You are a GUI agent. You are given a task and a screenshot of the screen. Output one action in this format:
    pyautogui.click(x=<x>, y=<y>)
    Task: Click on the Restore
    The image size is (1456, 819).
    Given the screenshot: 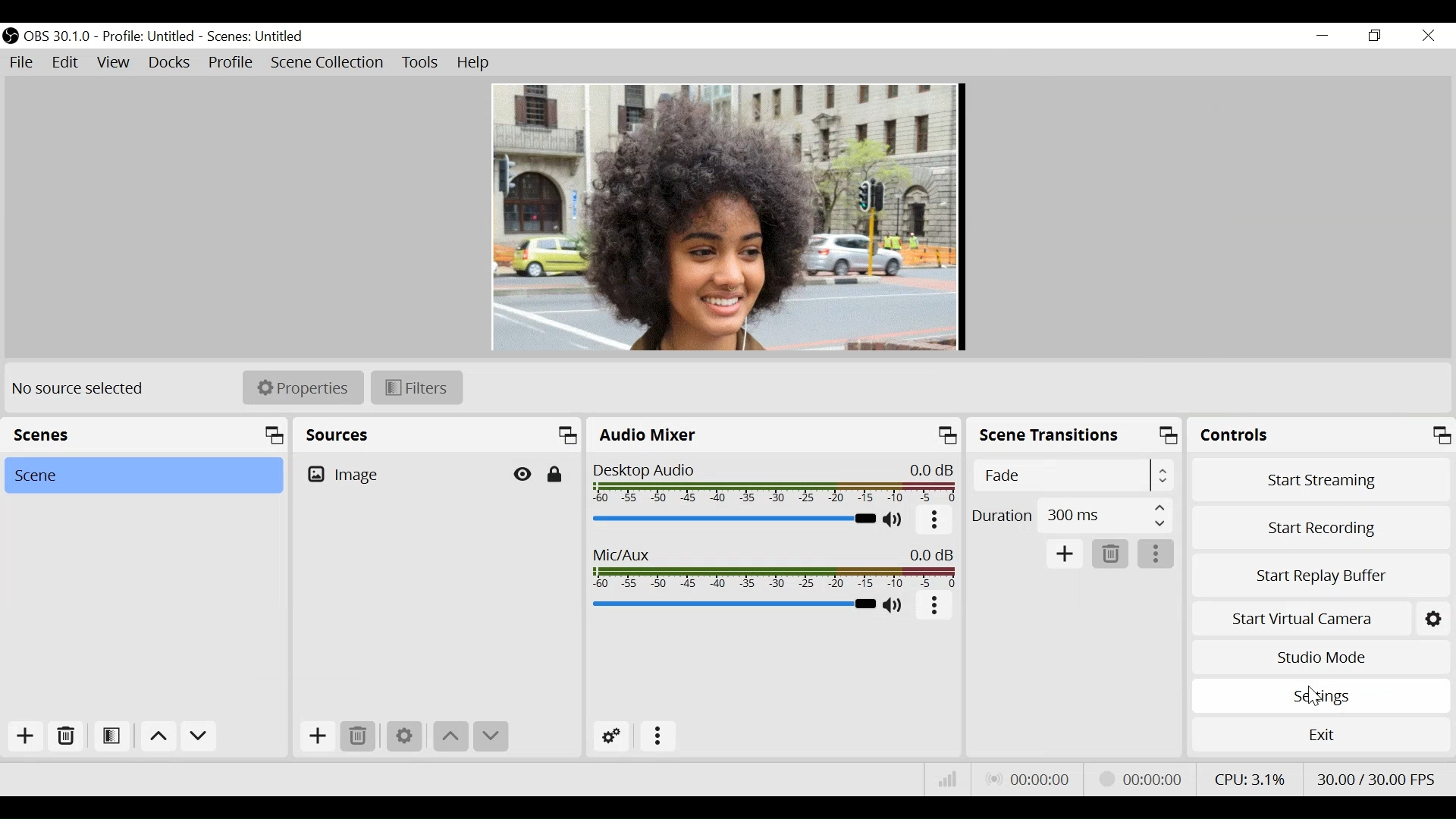 What is the action you would take?
    pyautogui.click(x=1376, y=36)
    